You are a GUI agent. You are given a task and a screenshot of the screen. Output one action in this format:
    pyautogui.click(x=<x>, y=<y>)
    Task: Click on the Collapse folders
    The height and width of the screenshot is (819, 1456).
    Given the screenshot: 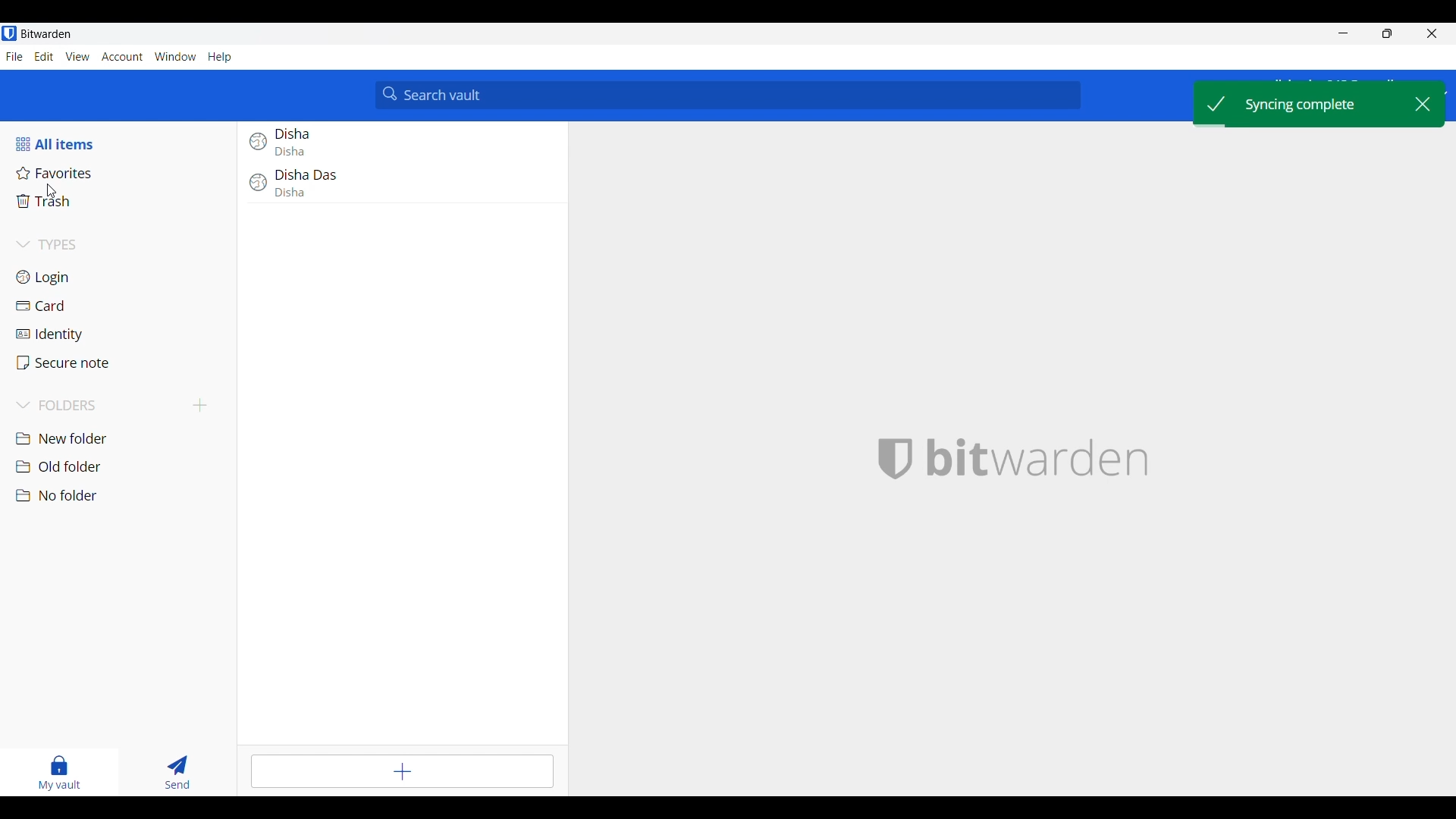 What is the action you would take?
    pyautogui.click(x=100, y=406)
    